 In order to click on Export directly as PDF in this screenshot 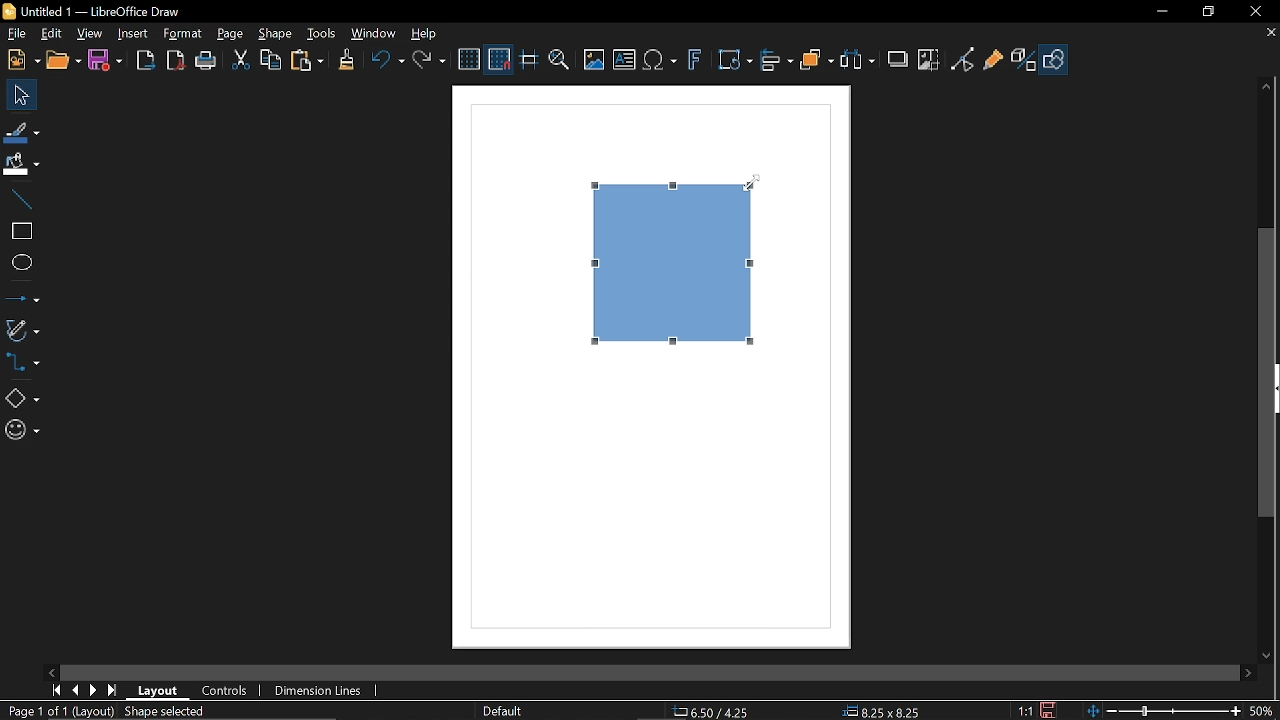, I will do `click(176, 60)`.